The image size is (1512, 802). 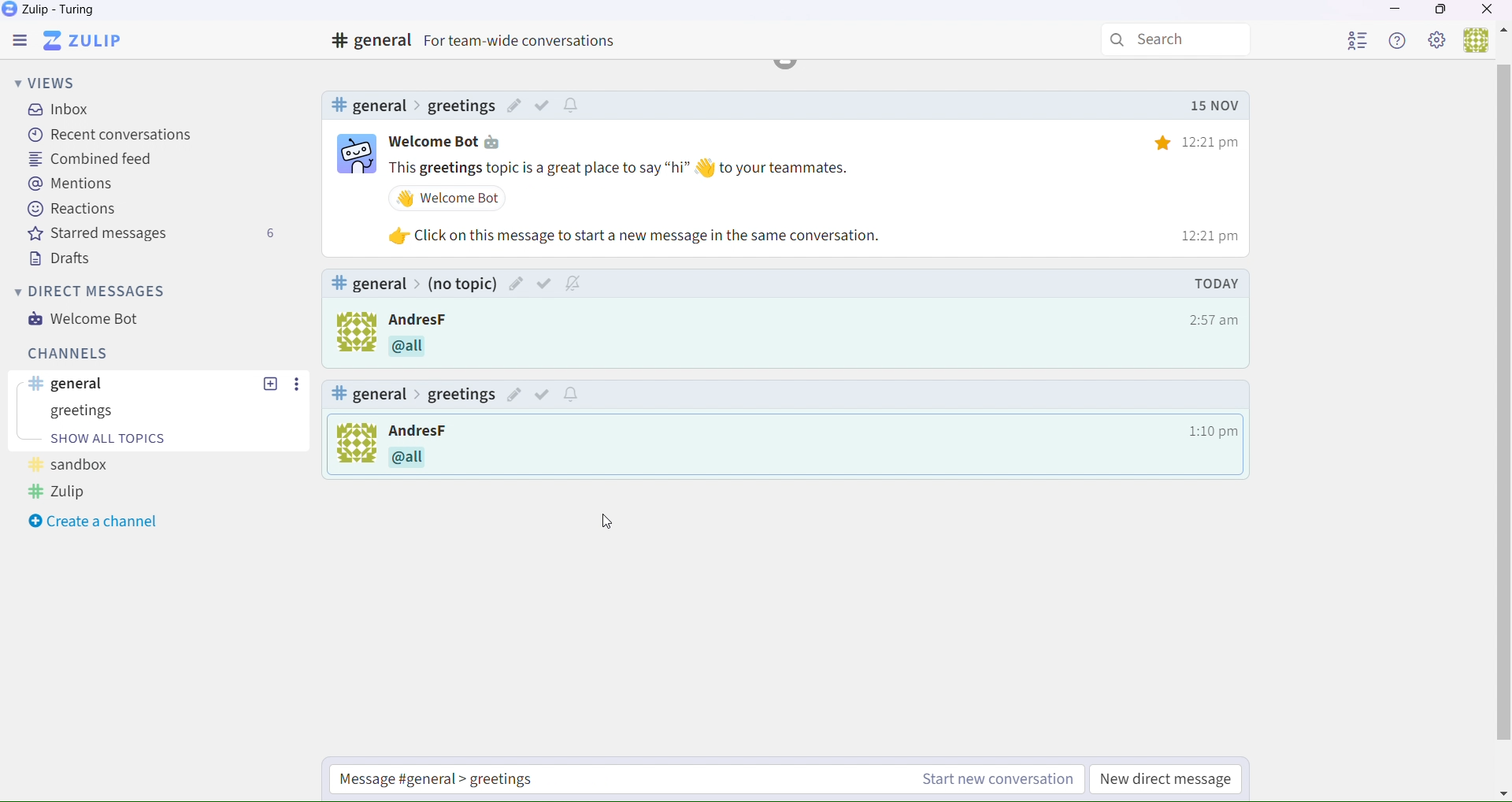 What do you see at coordinates (351, 331) in the screenshot?
I see `logo` at bounding box center [351, 331].